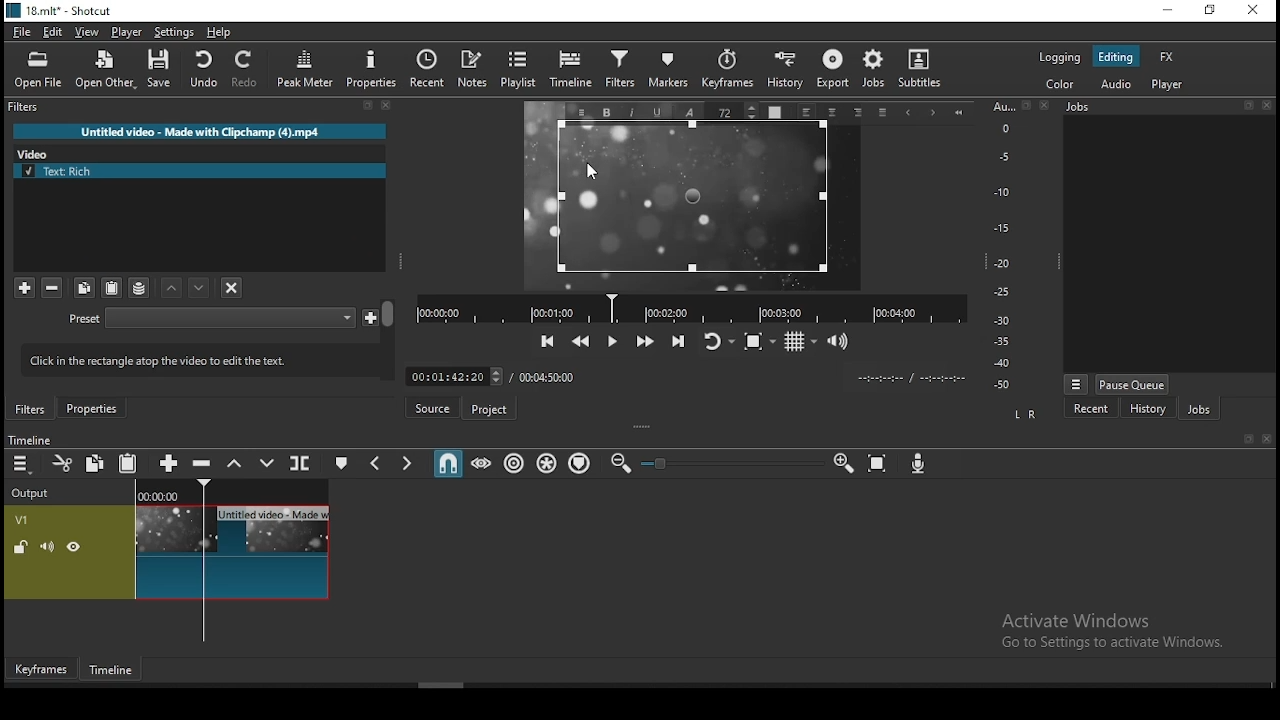 This screenshot has width=1280, height=720. Describe the element at coordinates (389, 339) in the screenshot. I see `Scroll Bar` at that location.